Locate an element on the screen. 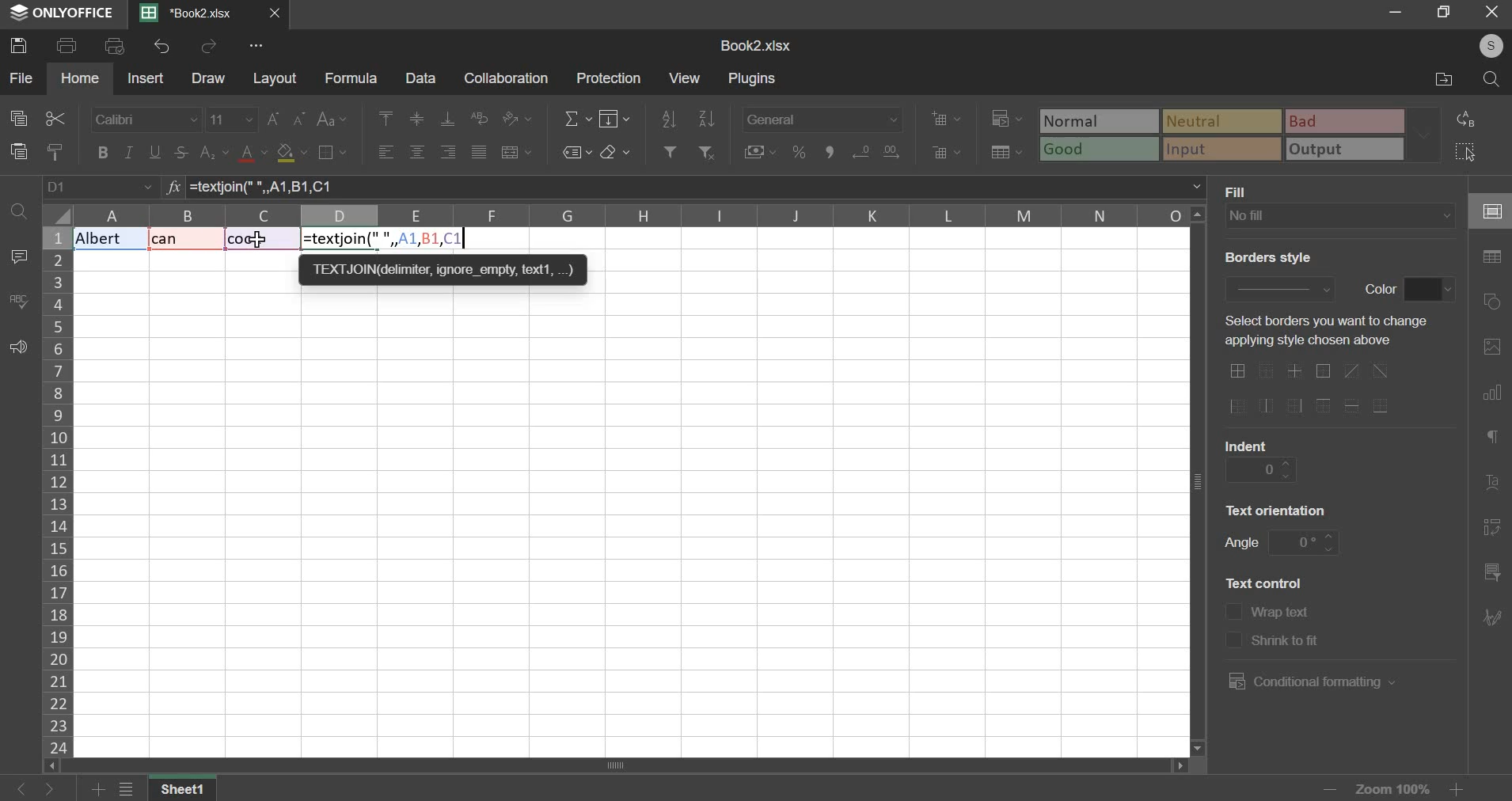  underline is located at coordinates (156, 152).